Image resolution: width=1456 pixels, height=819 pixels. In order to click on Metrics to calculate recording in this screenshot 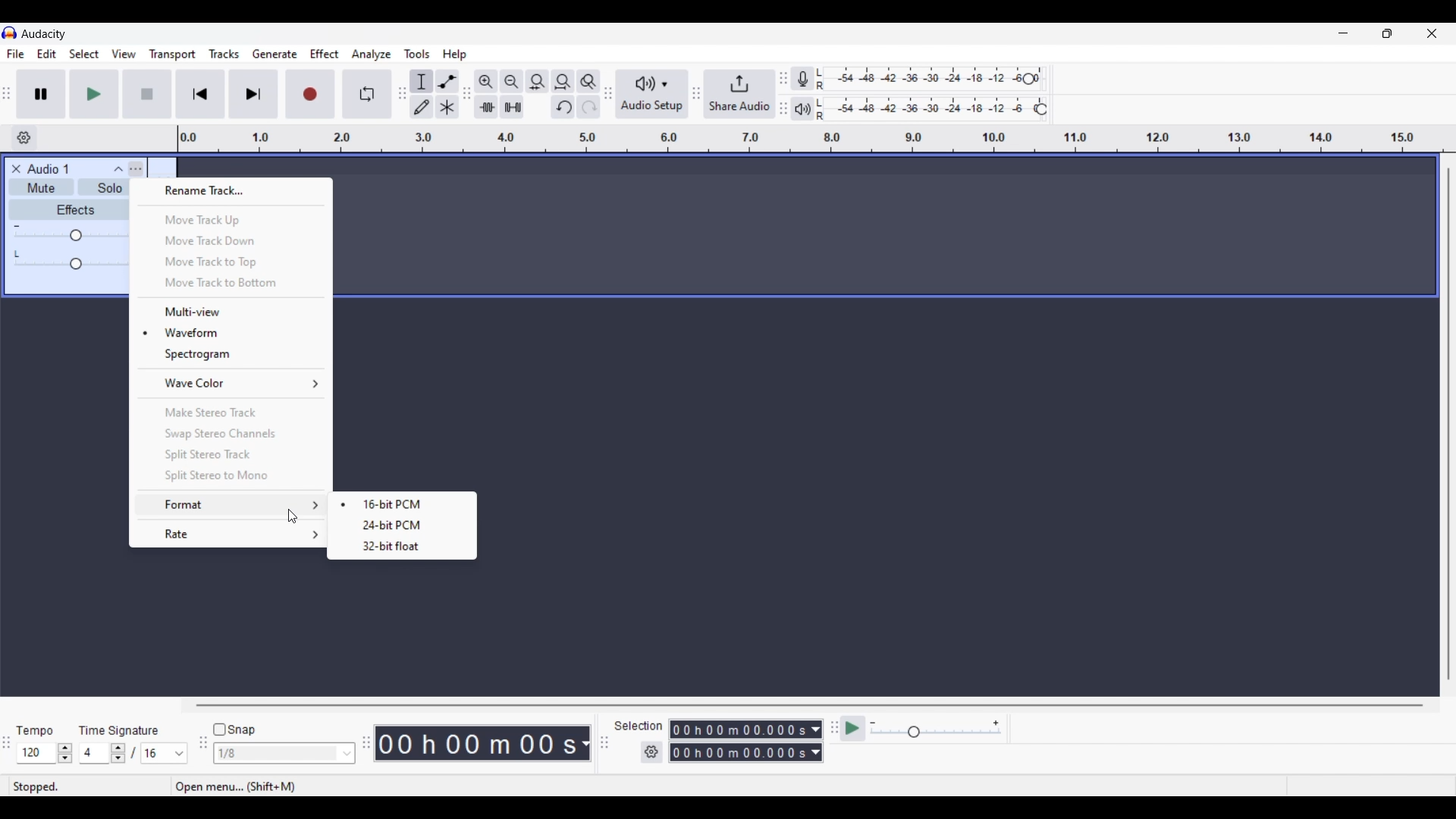, I will do `click(585, 743)`.